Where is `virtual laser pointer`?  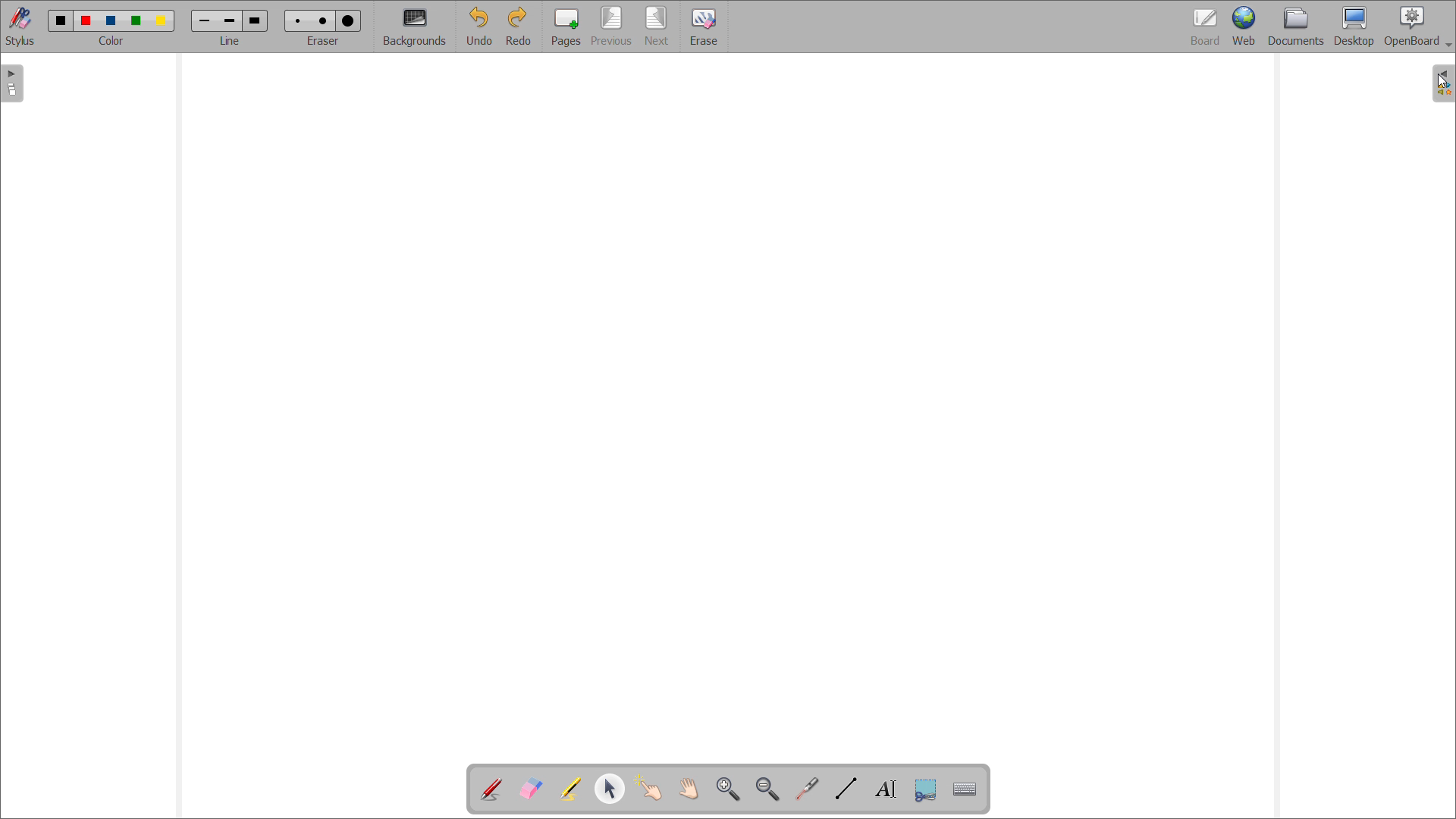 virtual laser pointer is located at coordinates (806, 788).